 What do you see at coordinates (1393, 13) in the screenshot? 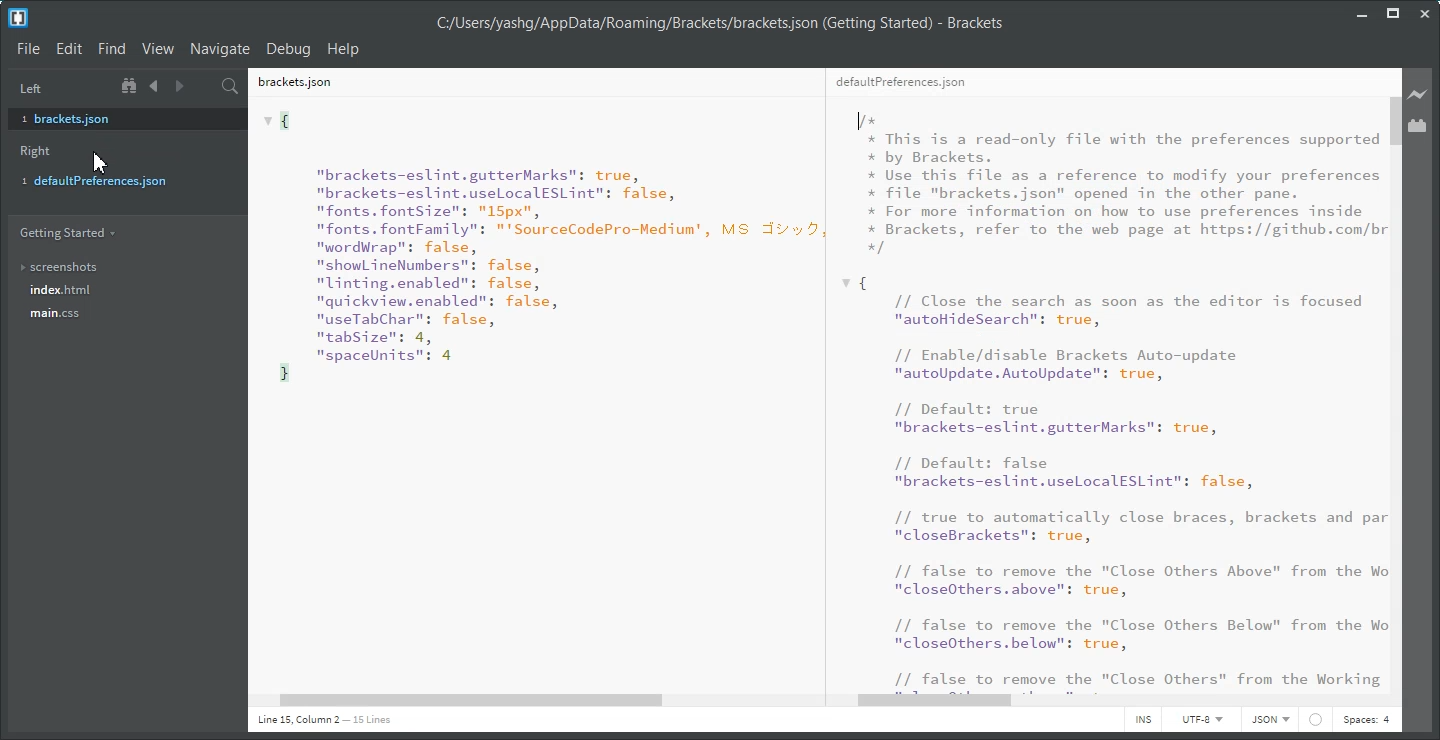
I see `Maximize` at bounding box center [1393, 13].